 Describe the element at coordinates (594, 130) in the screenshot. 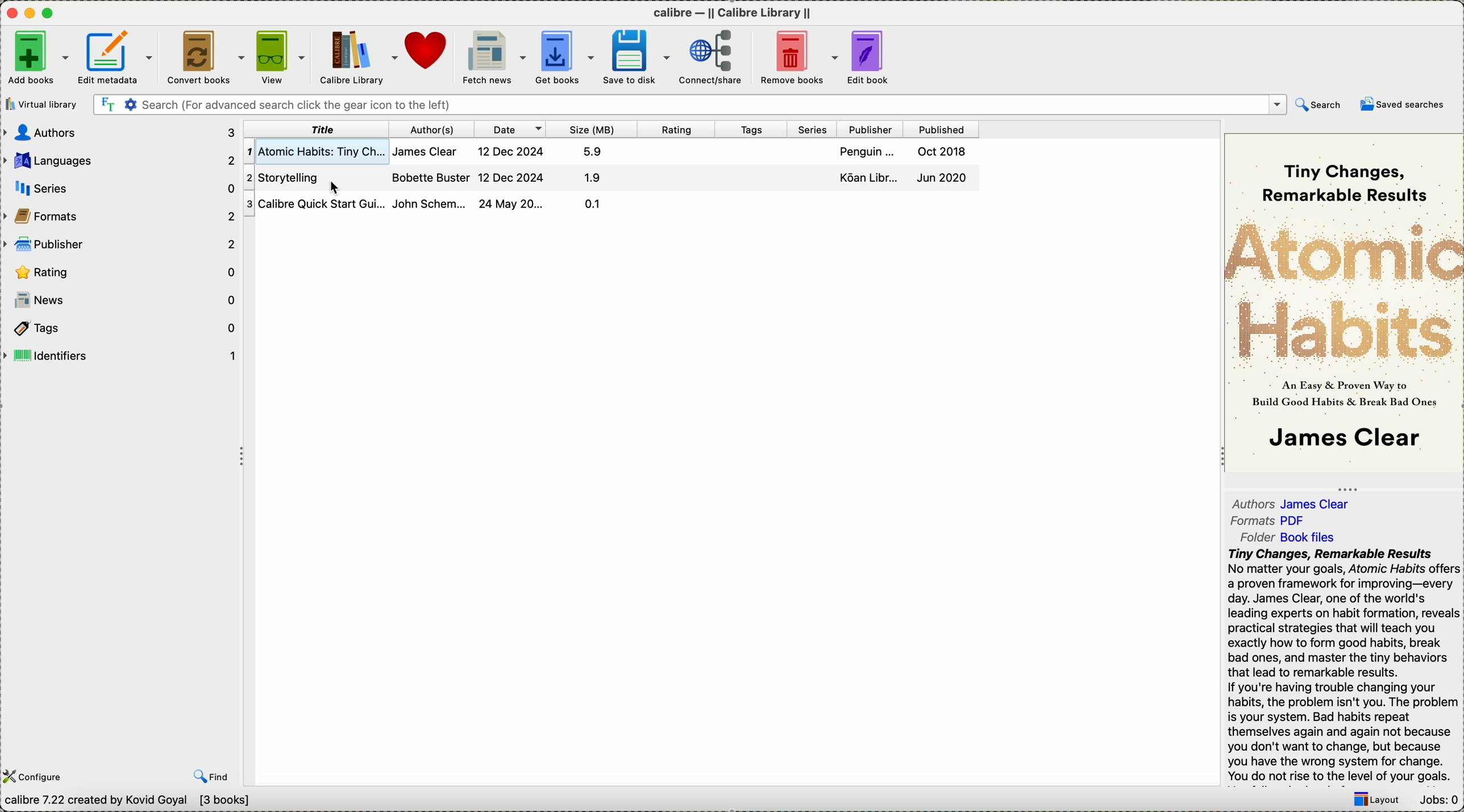

I see `size` at that location.